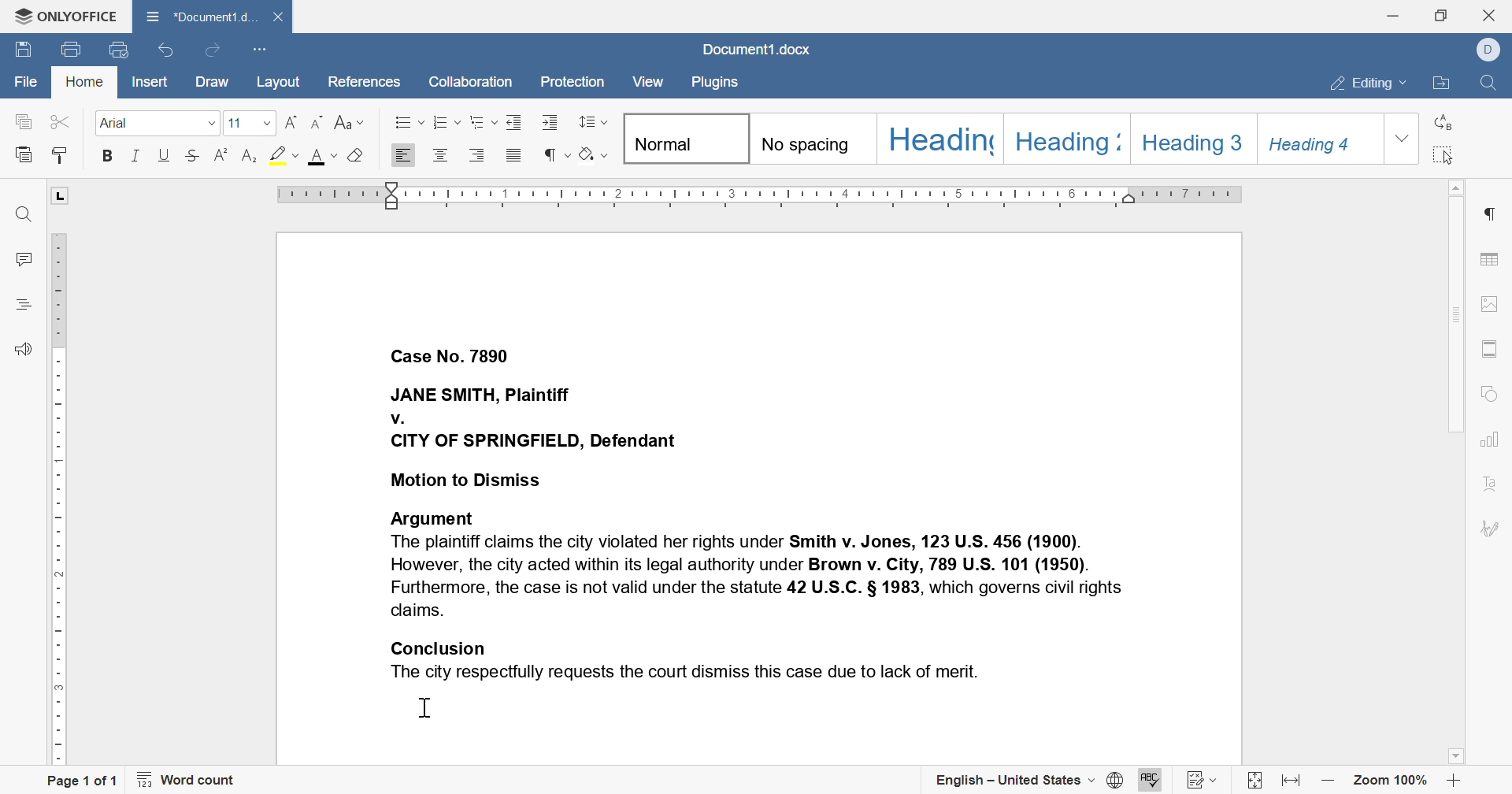  What do you see at coordinates (20, 213) in the screenshot?
I see `find` at bounding box center [20, 213].